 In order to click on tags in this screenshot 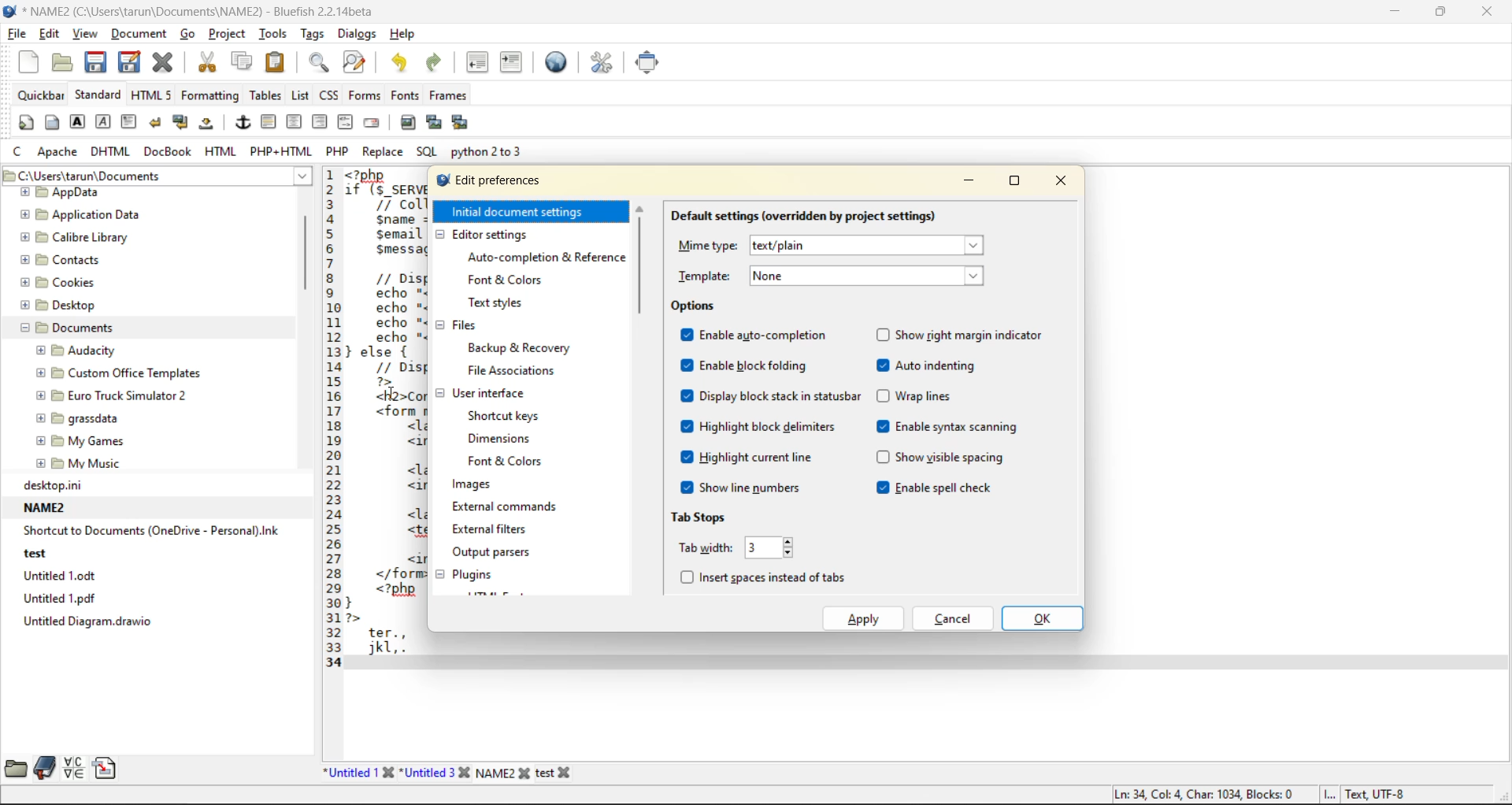, I will do `click(316, 35)`.